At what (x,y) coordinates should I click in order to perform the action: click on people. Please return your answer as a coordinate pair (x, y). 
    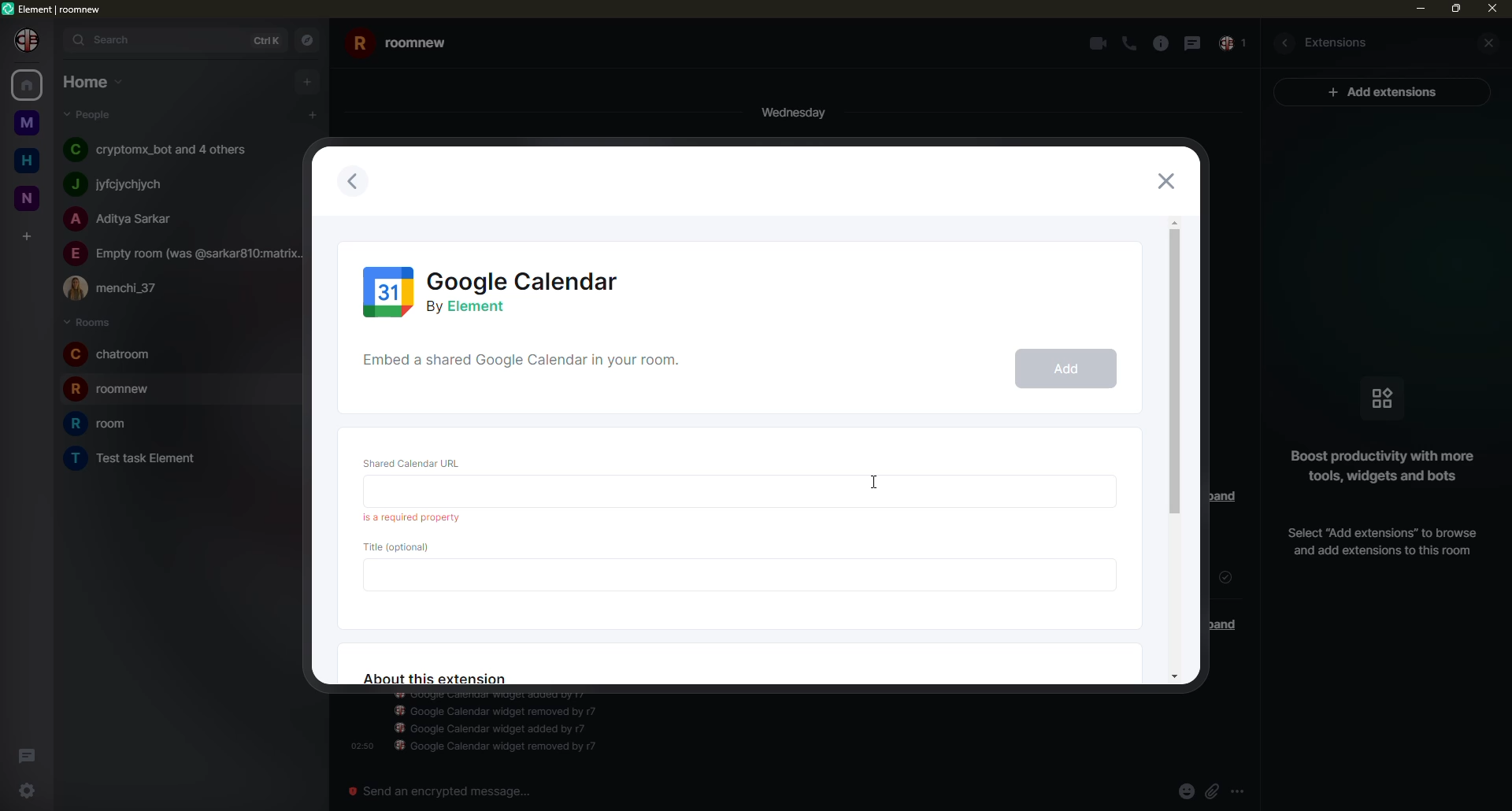
    Looking at the image, I should click on (185, 254).